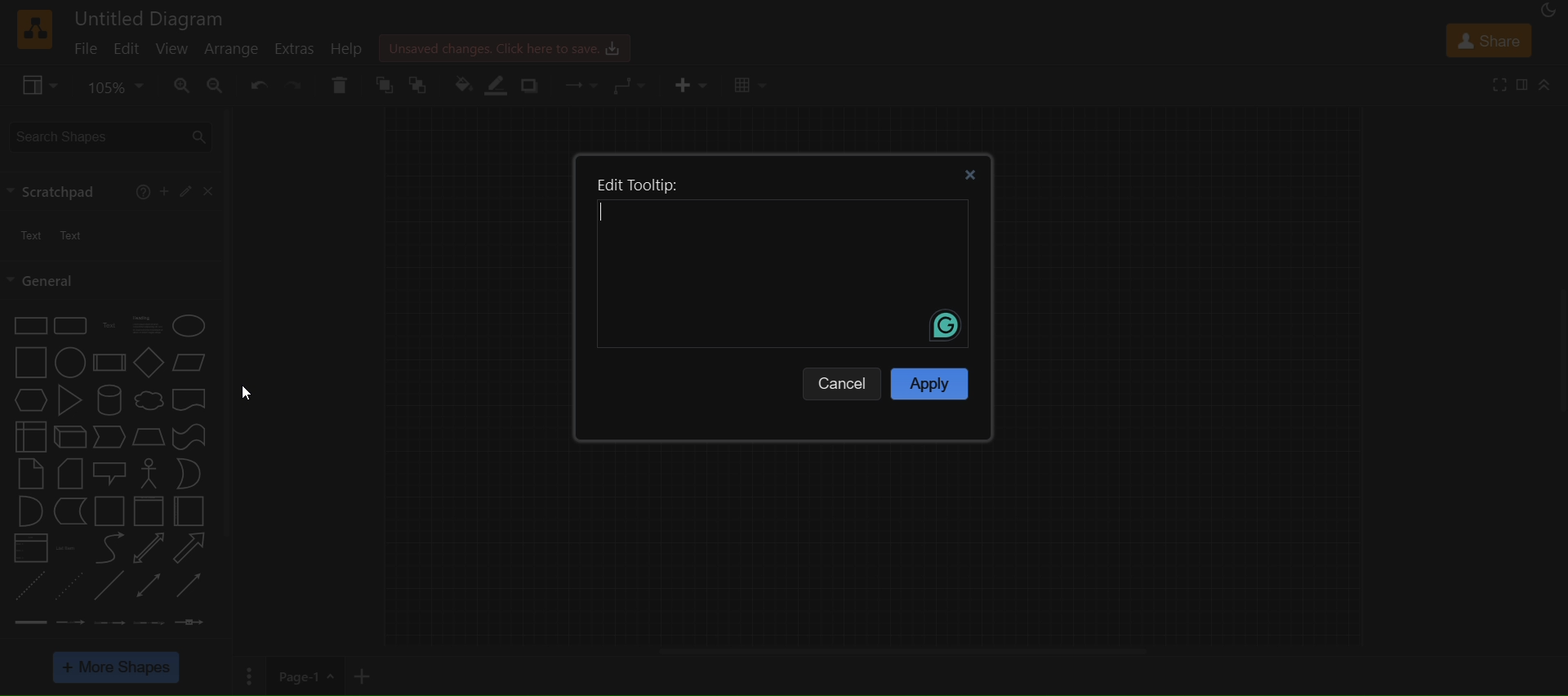 Image resolution: width=1568 pixels, height=696 pixels. I want to click on internal storage, so click(28, 436).